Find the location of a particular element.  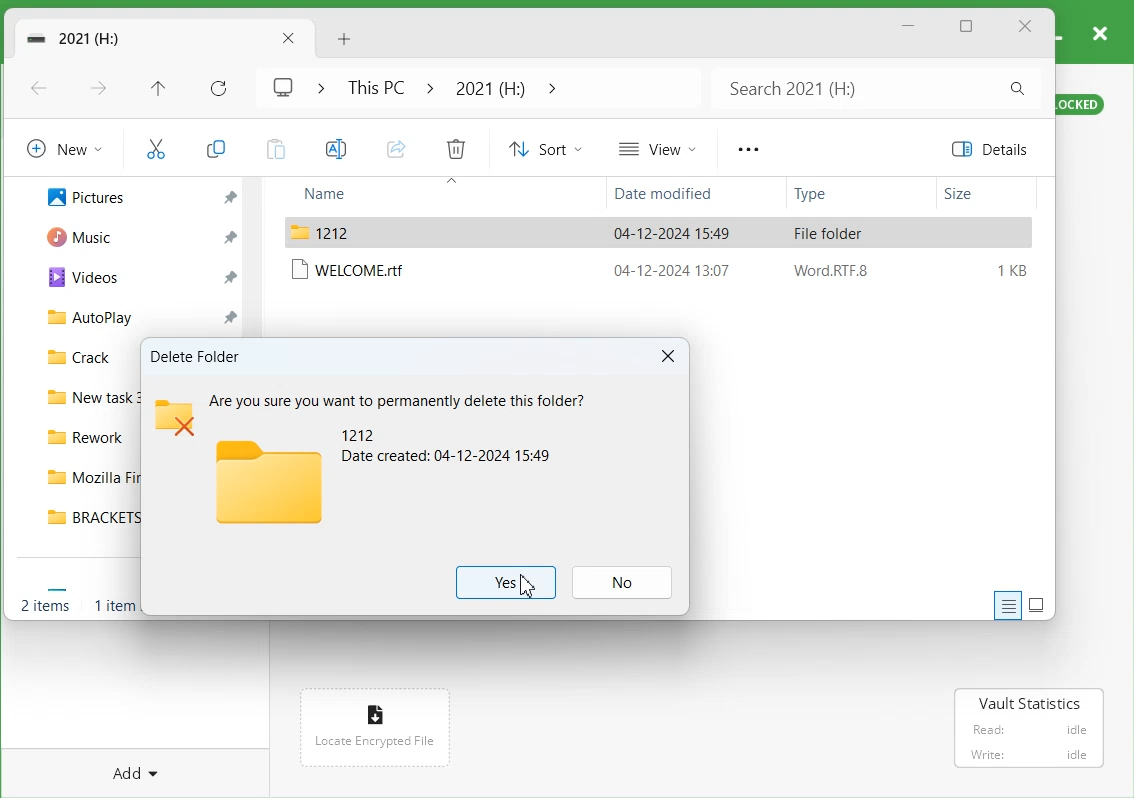

Locate Encrypted File is located at coordinates (372, 744).